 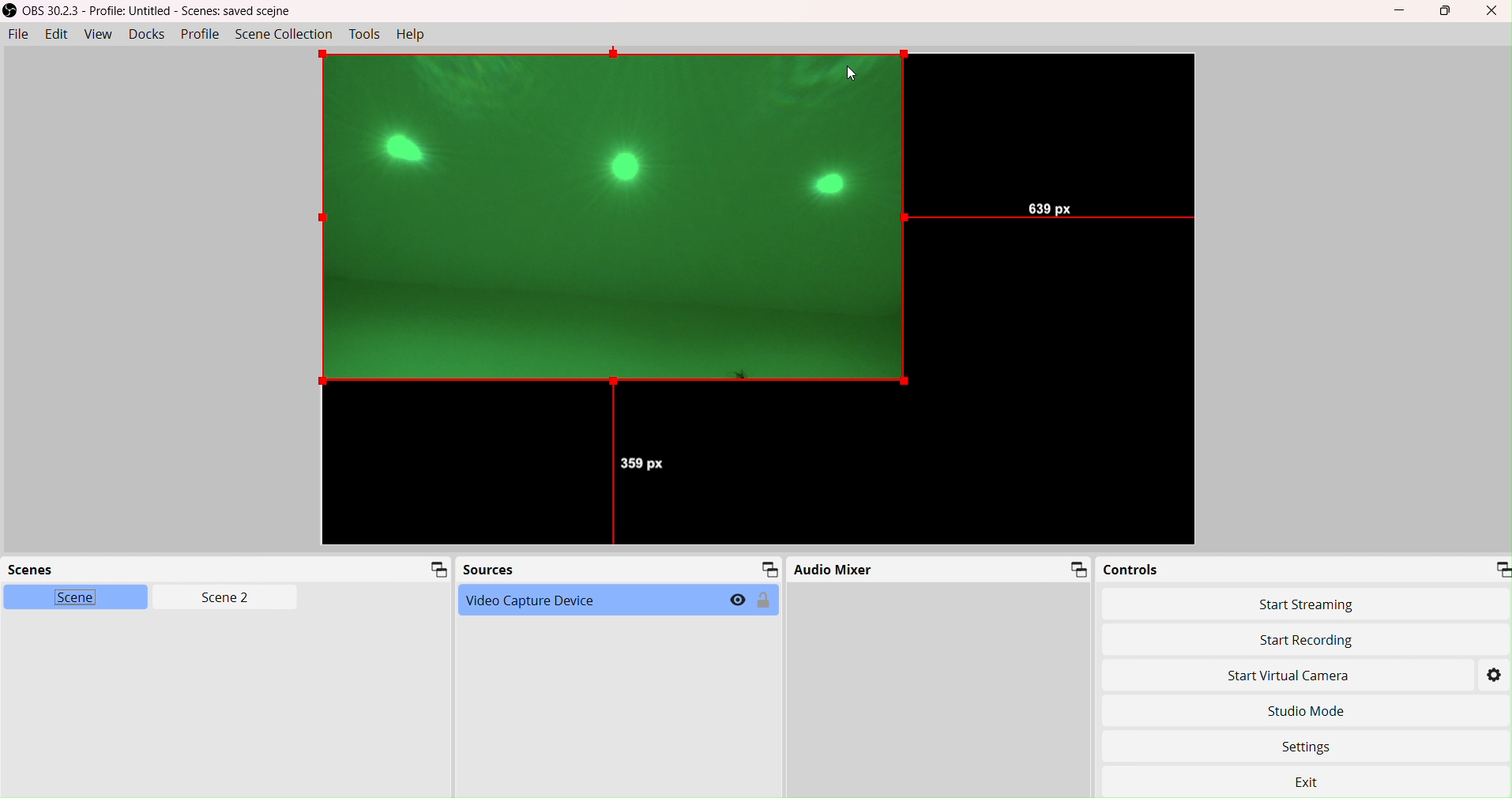 What do you see at coordinates (18, 35) in the screenshot?
I see `File` at bounding box center [18, 35].